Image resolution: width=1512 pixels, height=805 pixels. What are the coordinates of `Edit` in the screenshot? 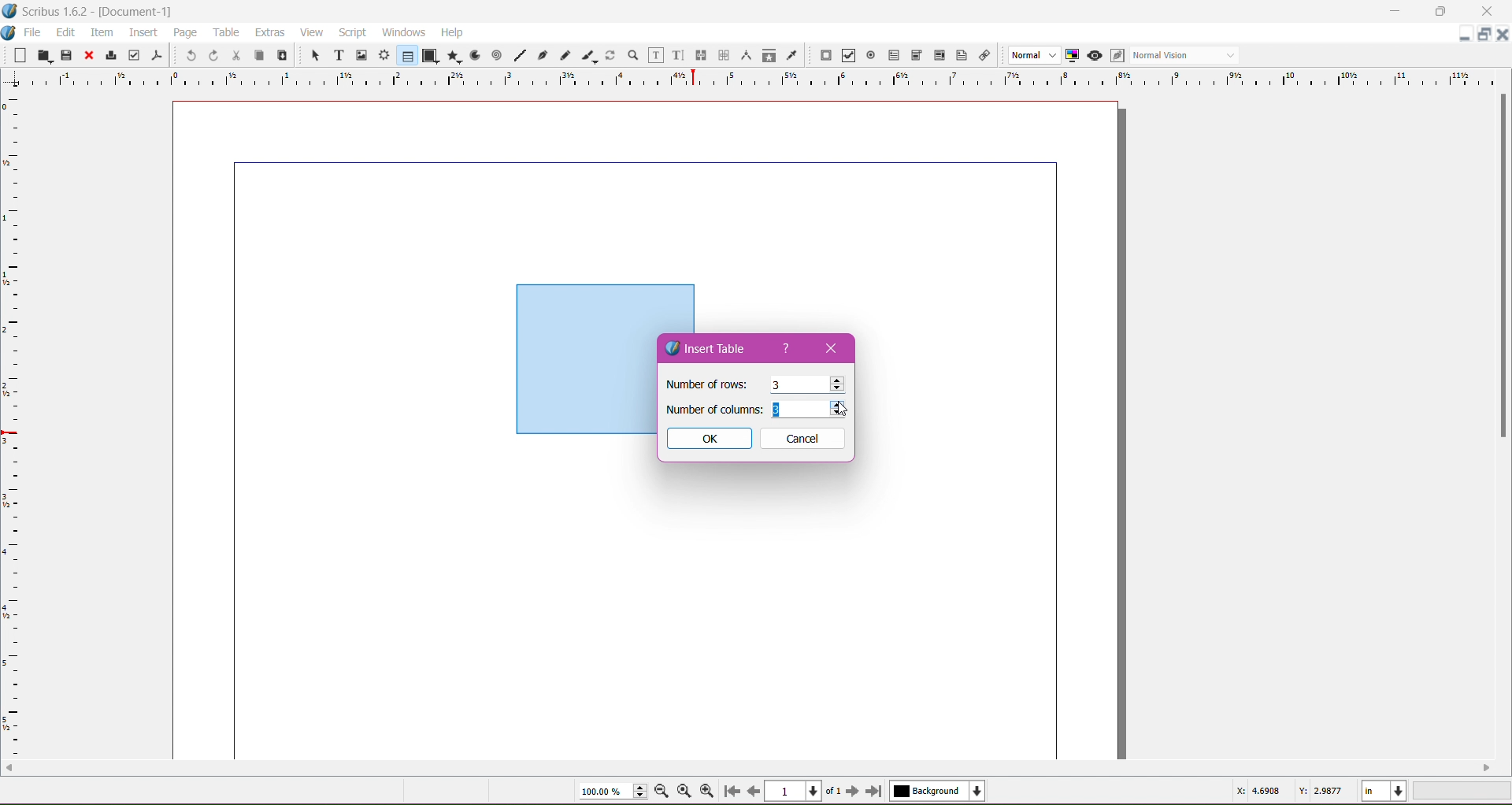 It's located at (67, 32).